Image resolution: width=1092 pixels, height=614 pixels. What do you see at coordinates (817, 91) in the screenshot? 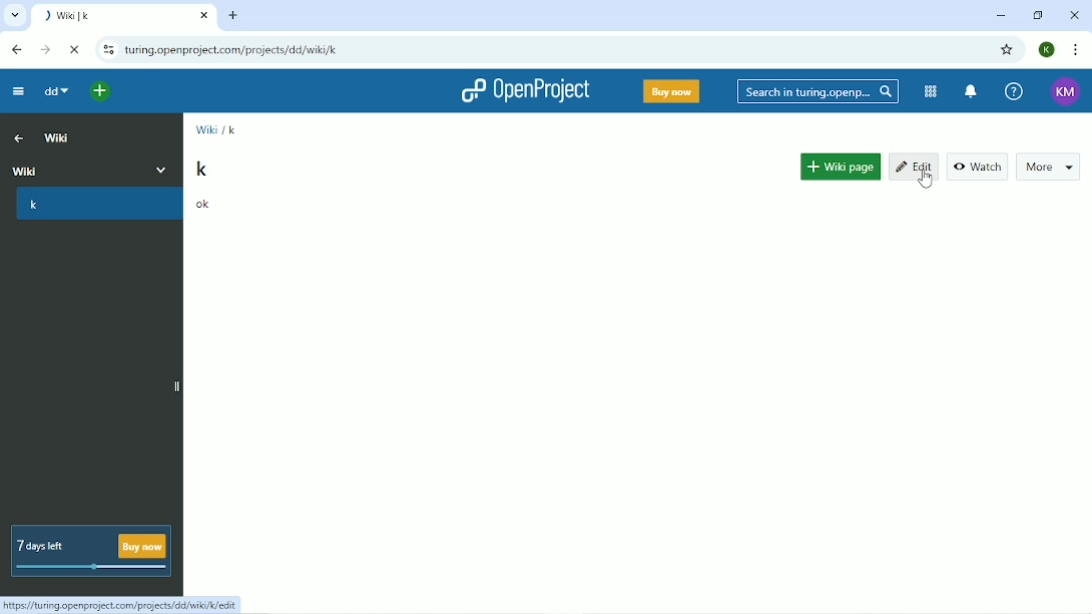
I see `Search` at bounding box center [817, 91].